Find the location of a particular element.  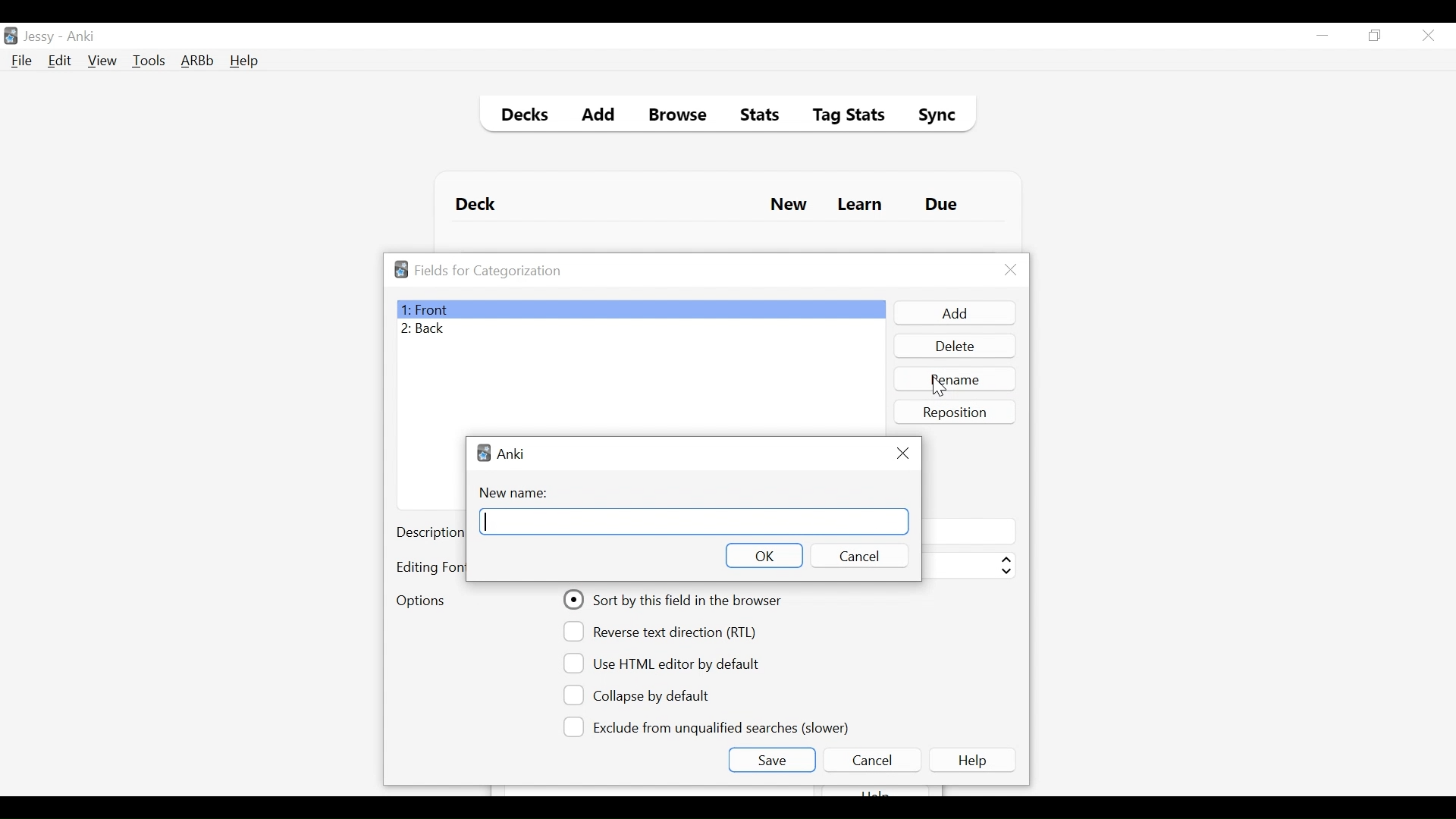

Close is located at coordinates (904, 451).